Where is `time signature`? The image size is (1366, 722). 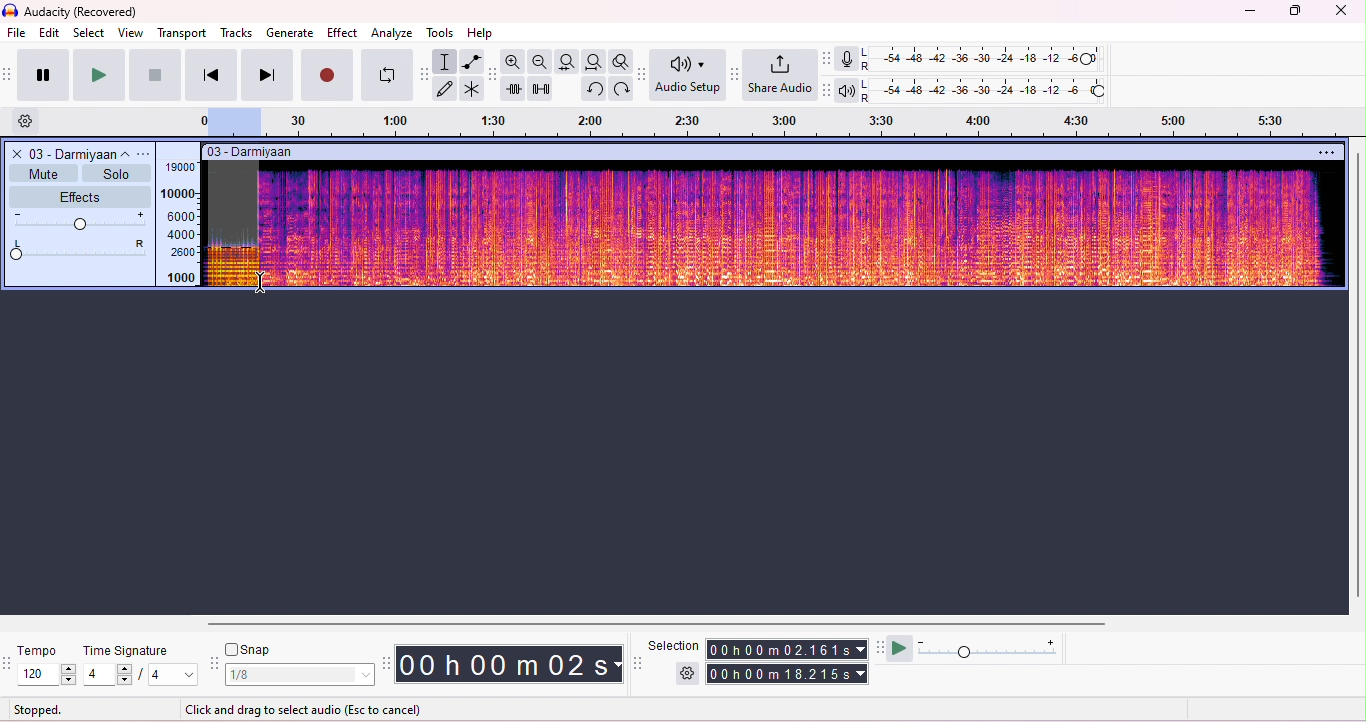
time signature is located at coordinates (124, 651).